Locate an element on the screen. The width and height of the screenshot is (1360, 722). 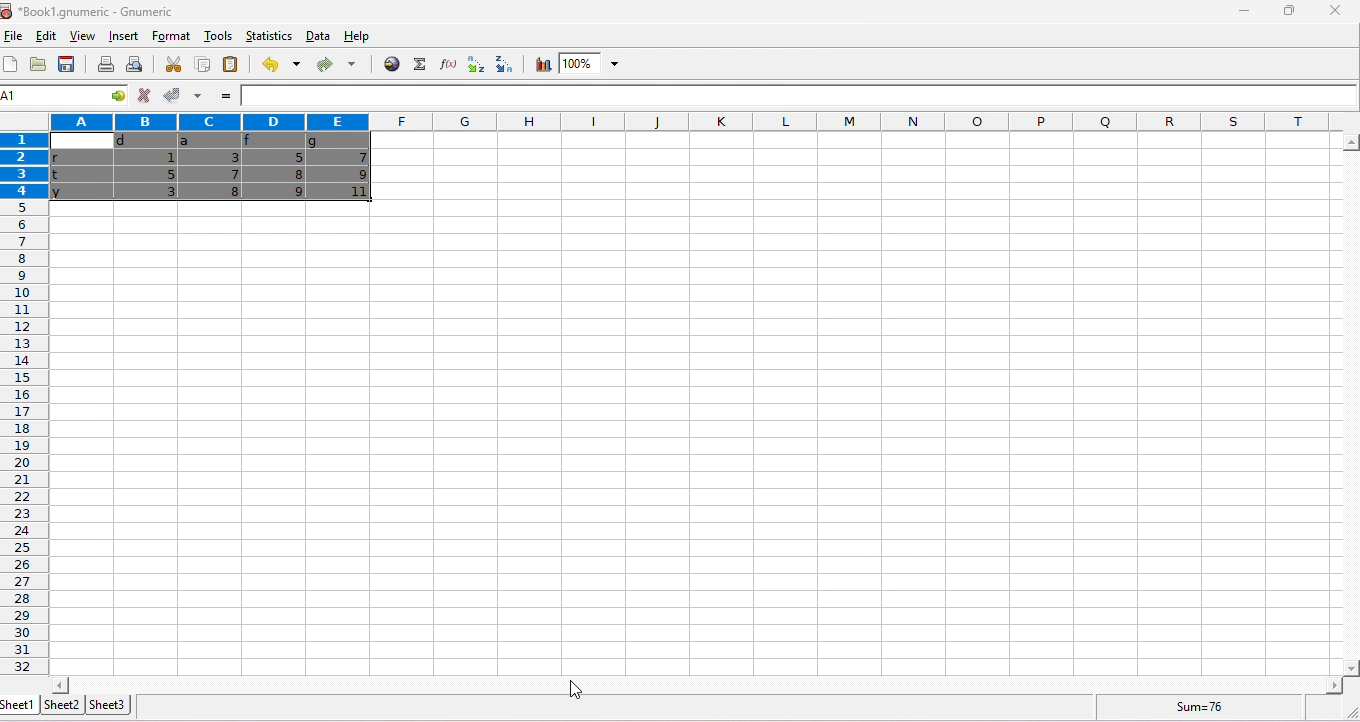
expand is located at coordinates (1345, 711).